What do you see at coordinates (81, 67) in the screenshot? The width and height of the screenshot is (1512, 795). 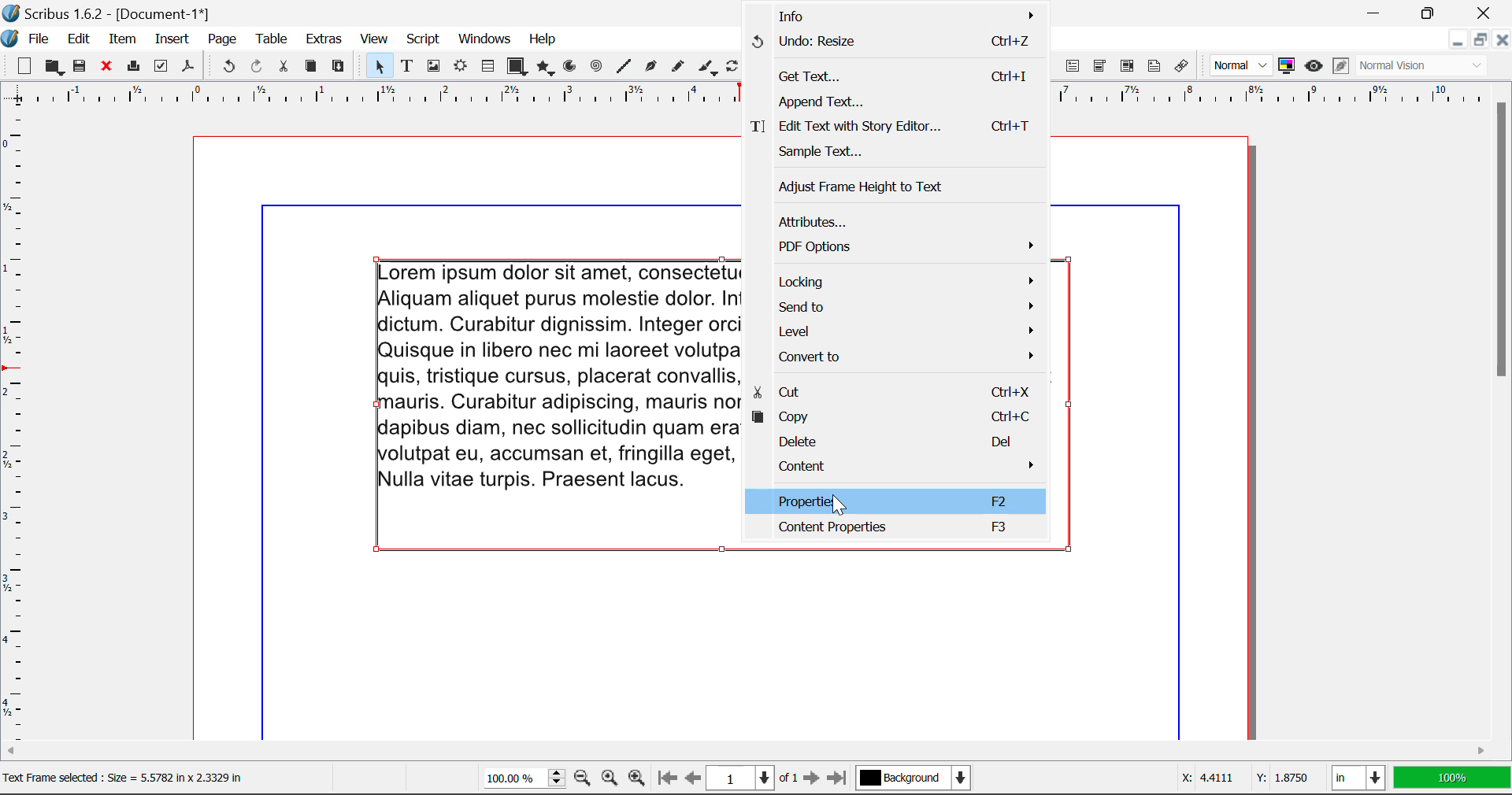 I see `Save` at bounding box center [81, 67].